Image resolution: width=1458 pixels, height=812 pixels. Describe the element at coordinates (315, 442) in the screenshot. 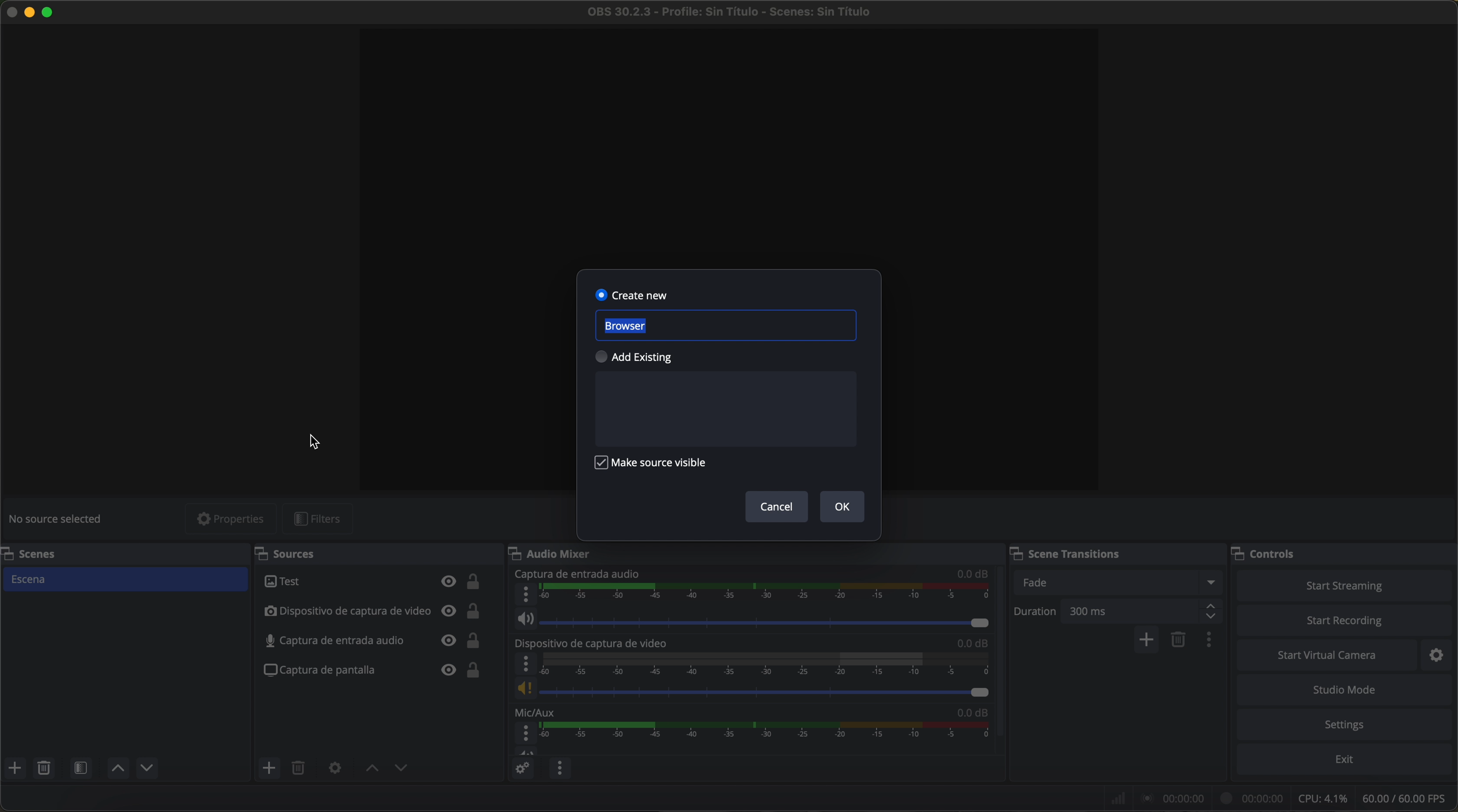

I see `mouse` at that location.